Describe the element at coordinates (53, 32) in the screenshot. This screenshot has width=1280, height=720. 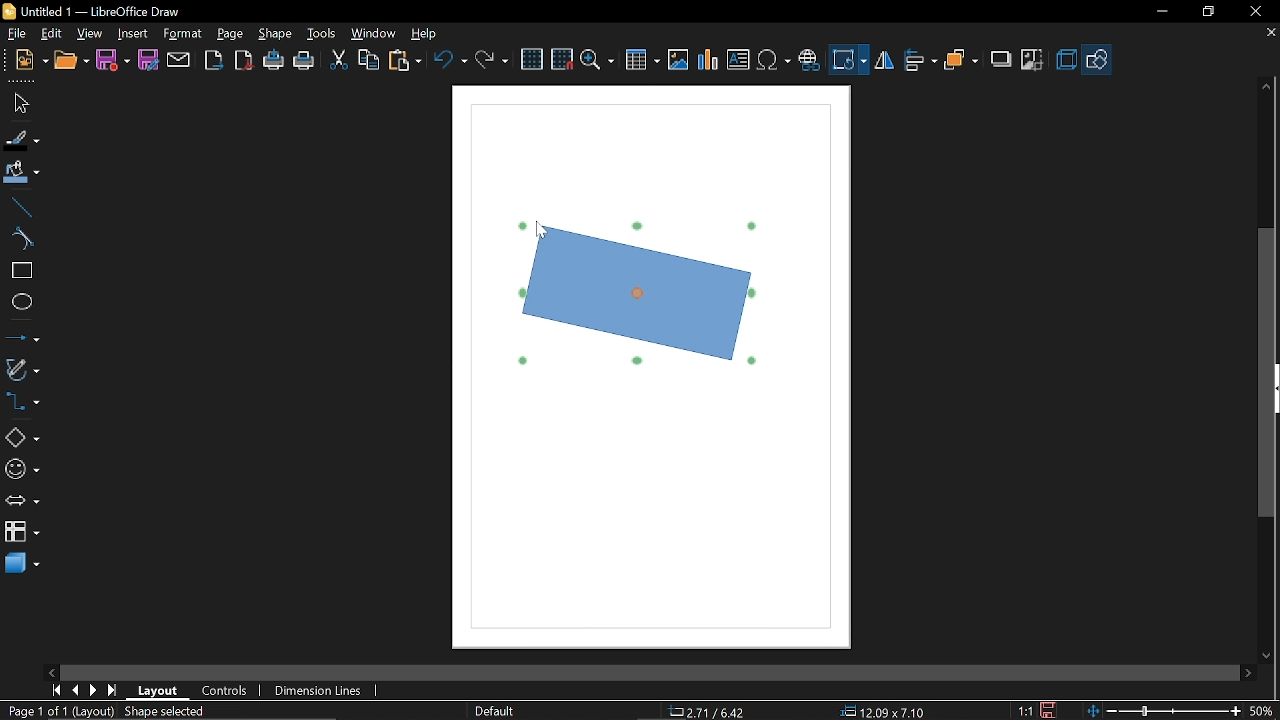
I see `Edit` at that location.